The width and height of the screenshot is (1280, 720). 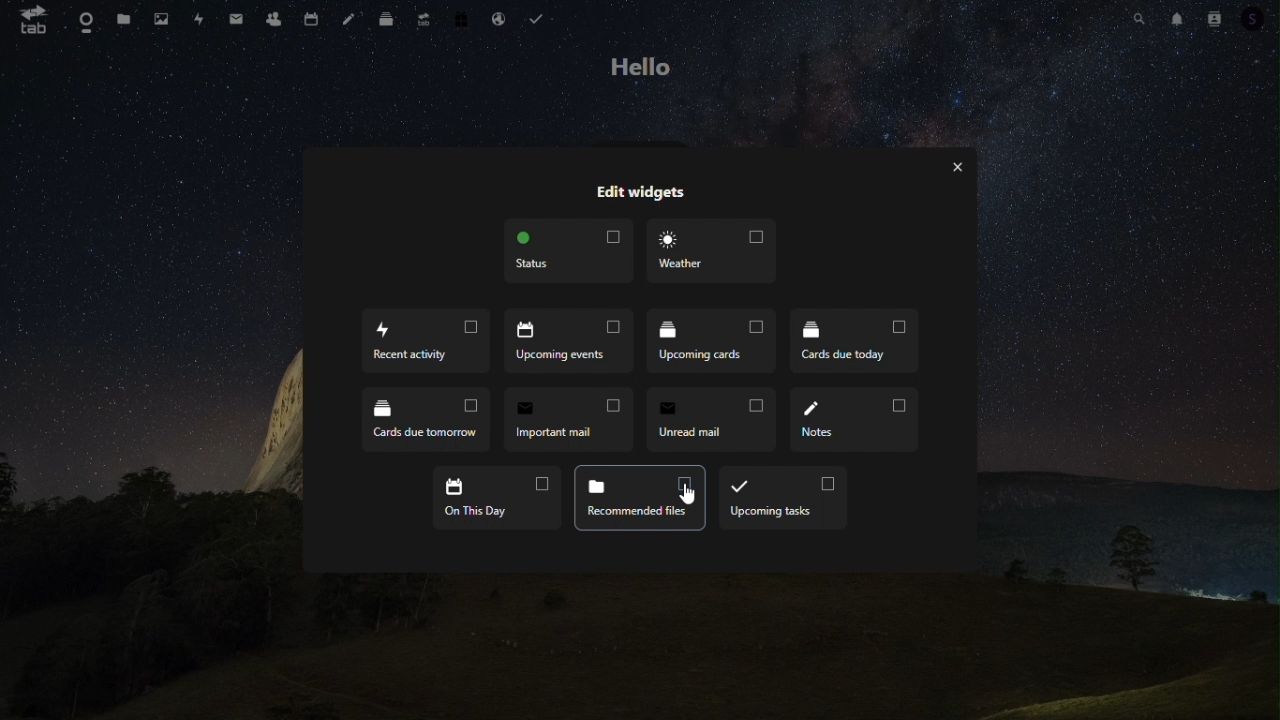 I want to click on free trail, so click(x=461, y=22).